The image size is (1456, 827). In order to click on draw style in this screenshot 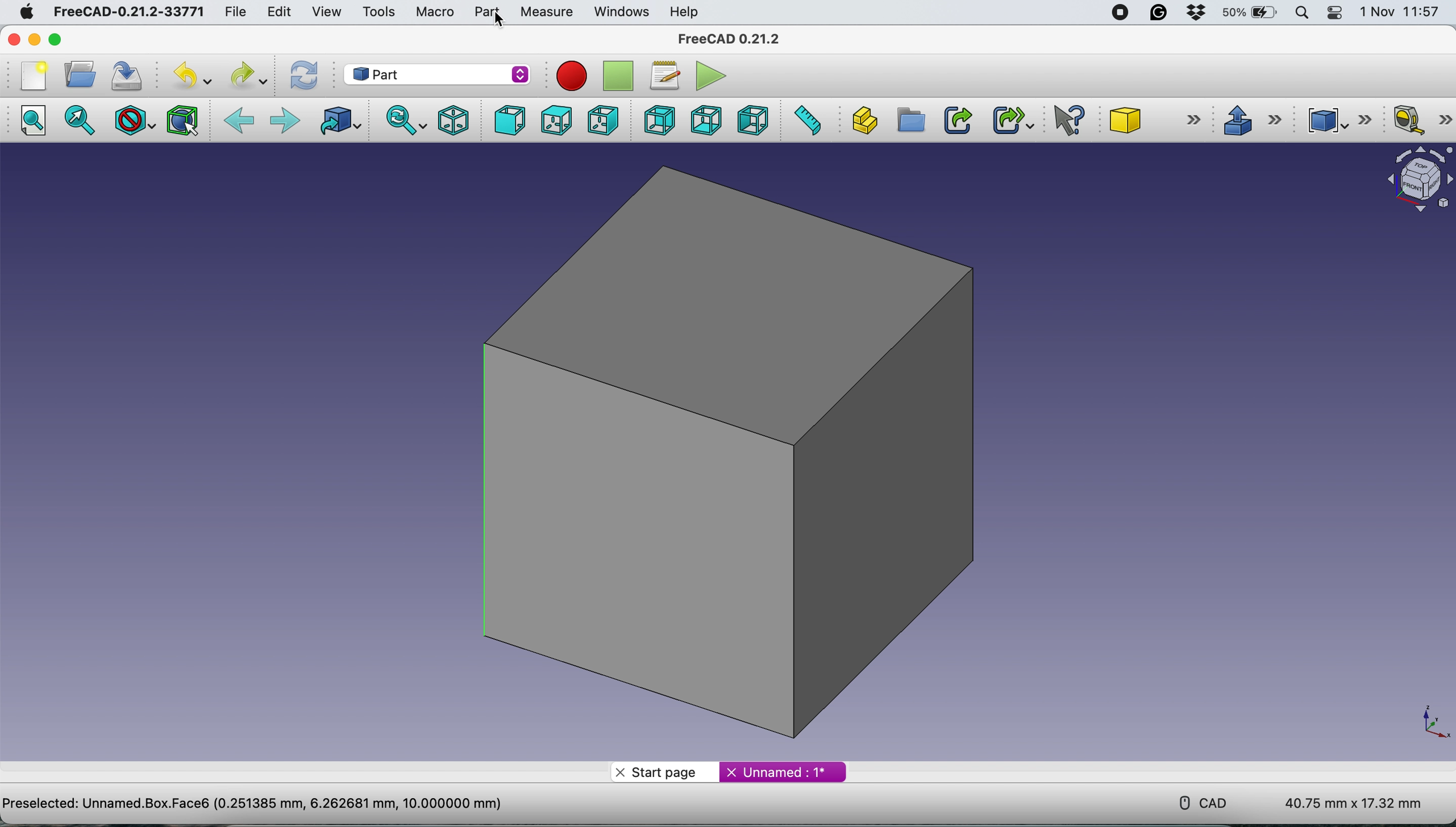, I will do `click(135, 123)`.